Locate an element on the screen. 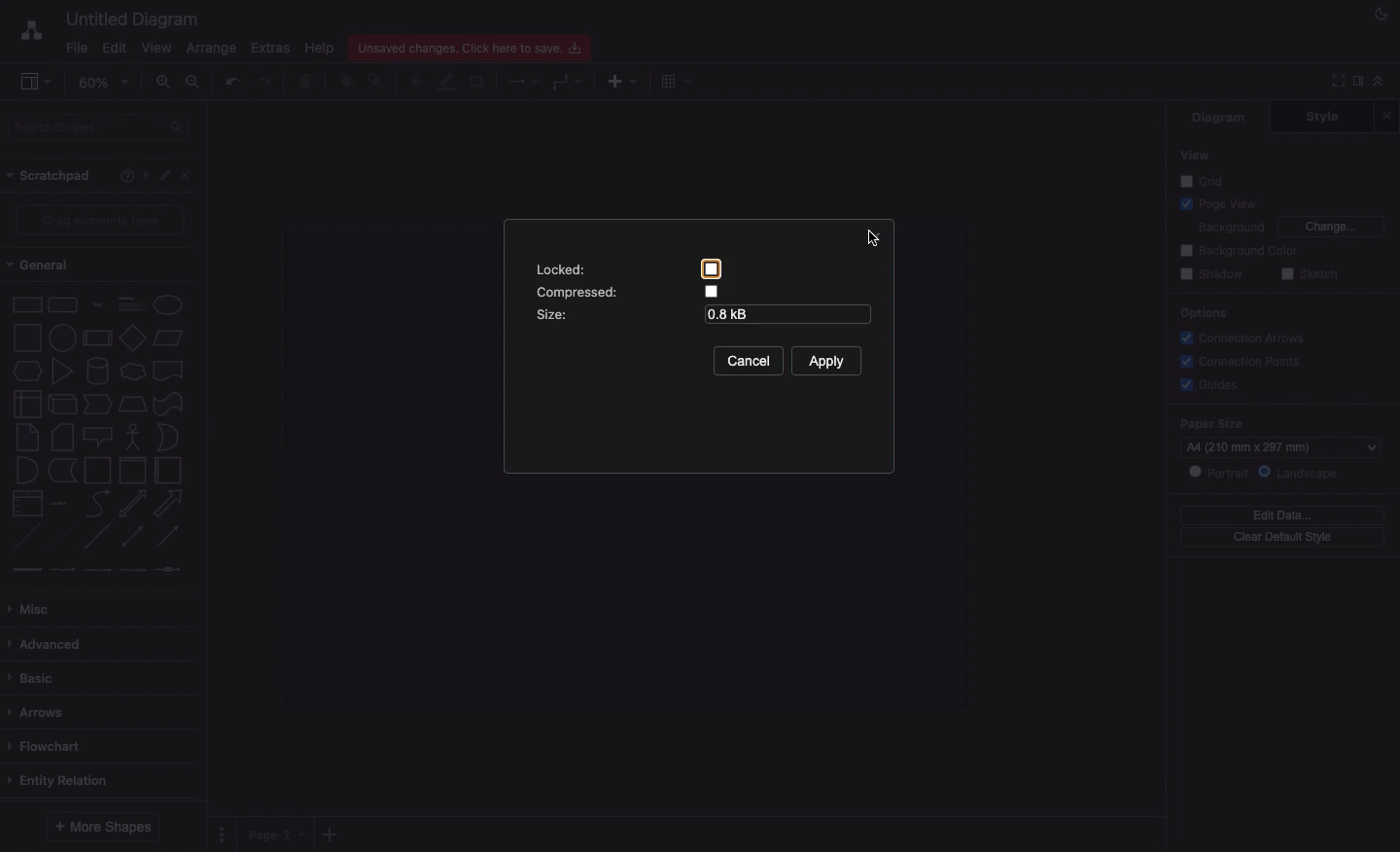 This screenshot has height=852, width=1400. Apply is located at coordinates (827, 362).